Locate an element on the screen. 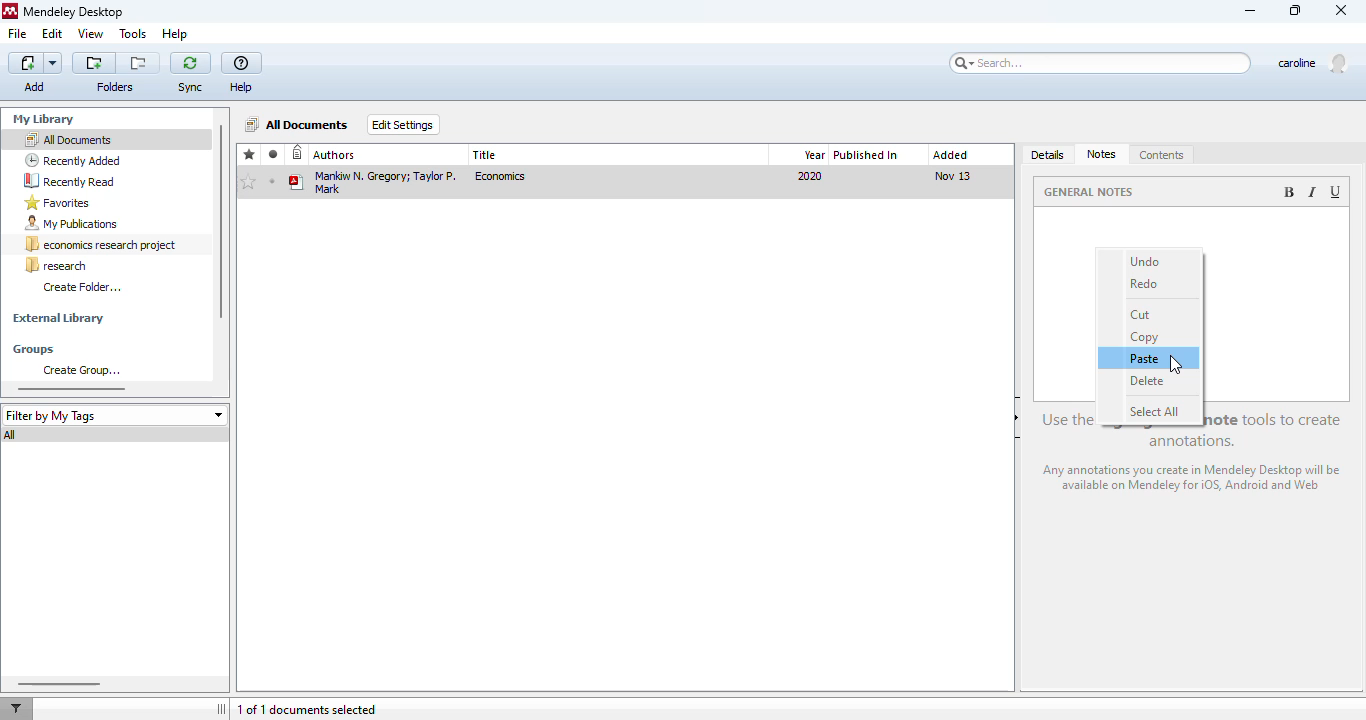  select all is located at coordinates (1155, 411).